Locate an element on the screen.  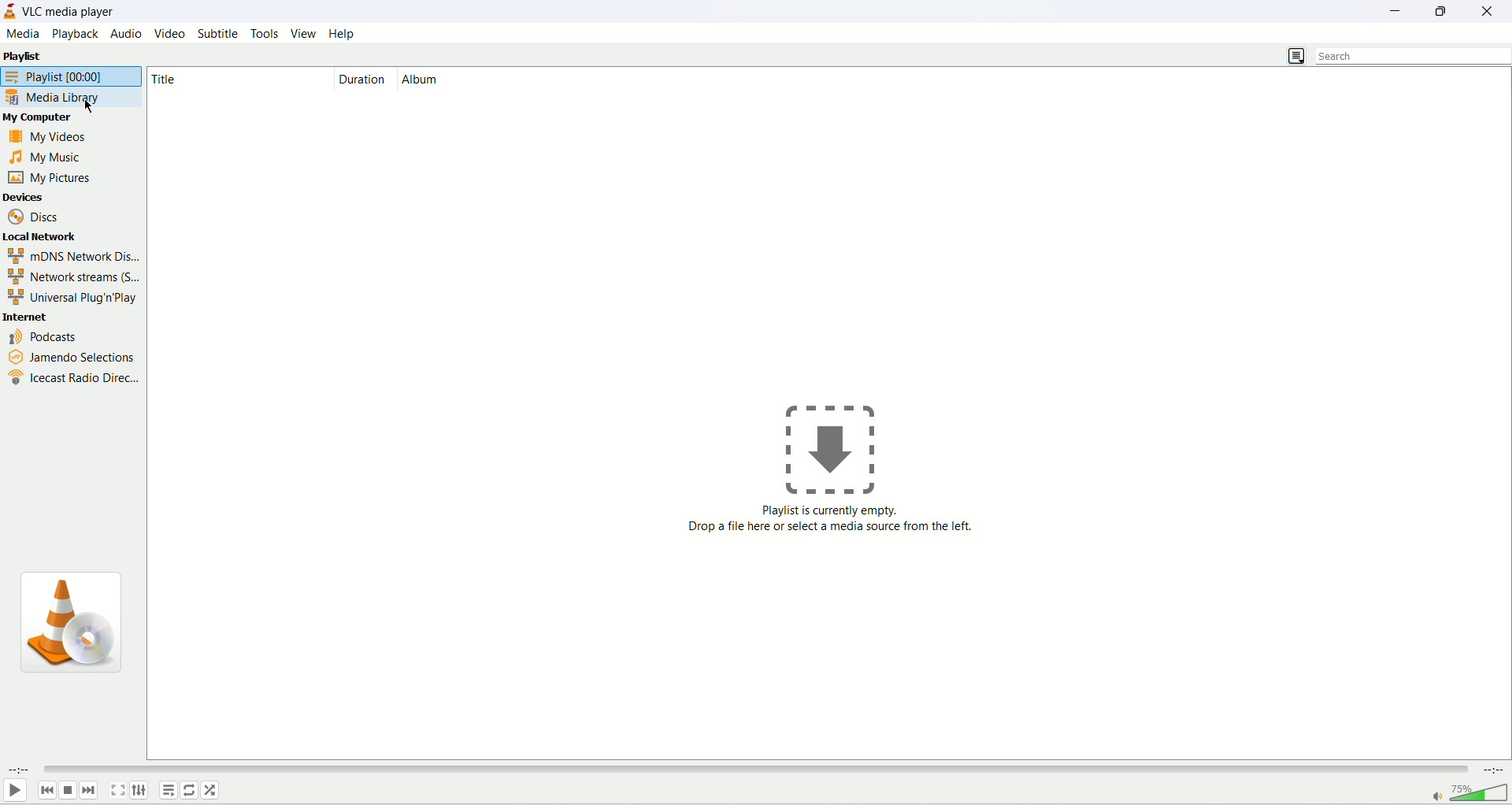
search is located at coordinates (1413, 55).